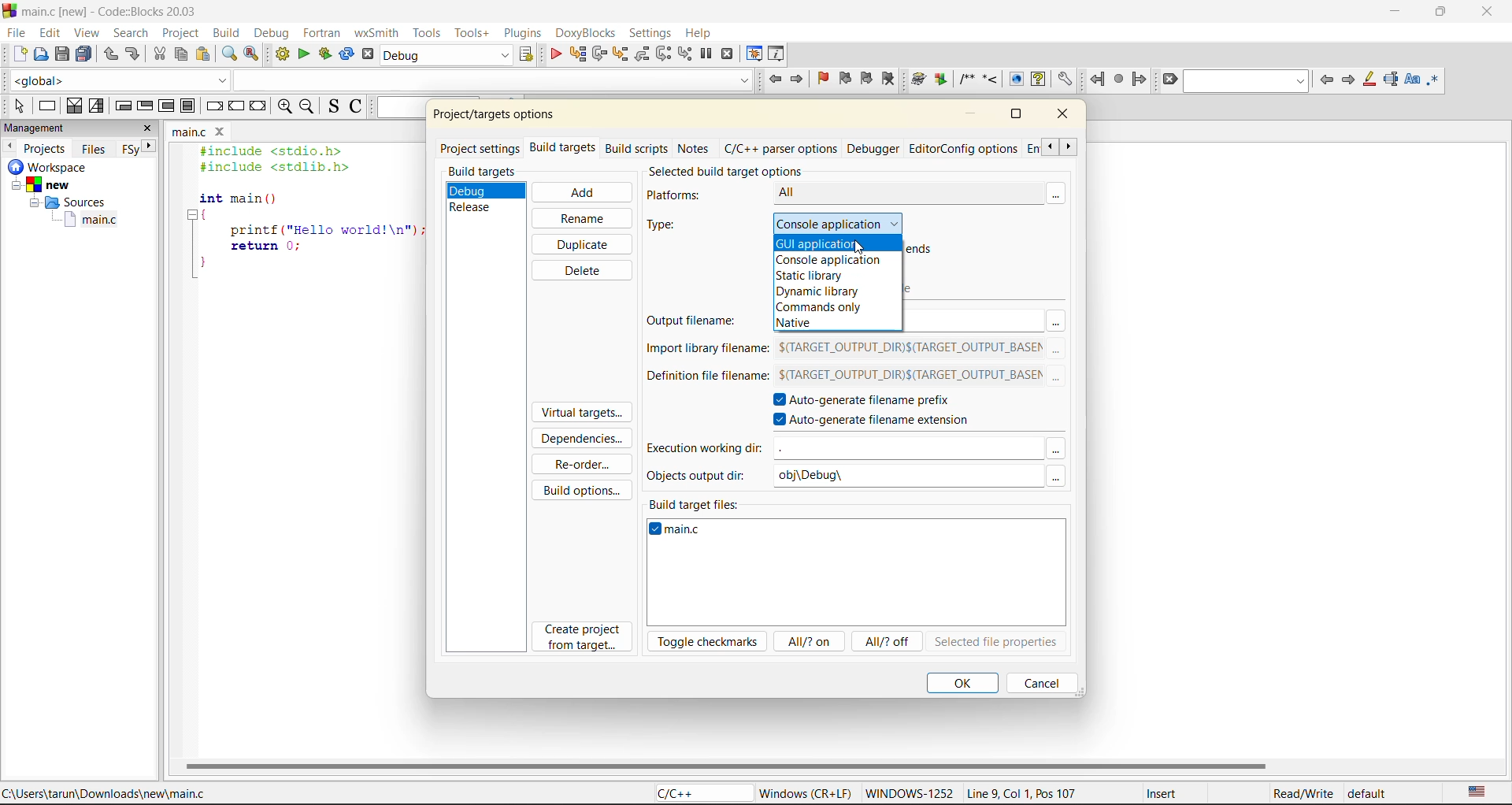 This screenshot has height=805, width=1512. Describe the element at coordinates (702, 321) in the screenshot. I see `output filename` at that location.